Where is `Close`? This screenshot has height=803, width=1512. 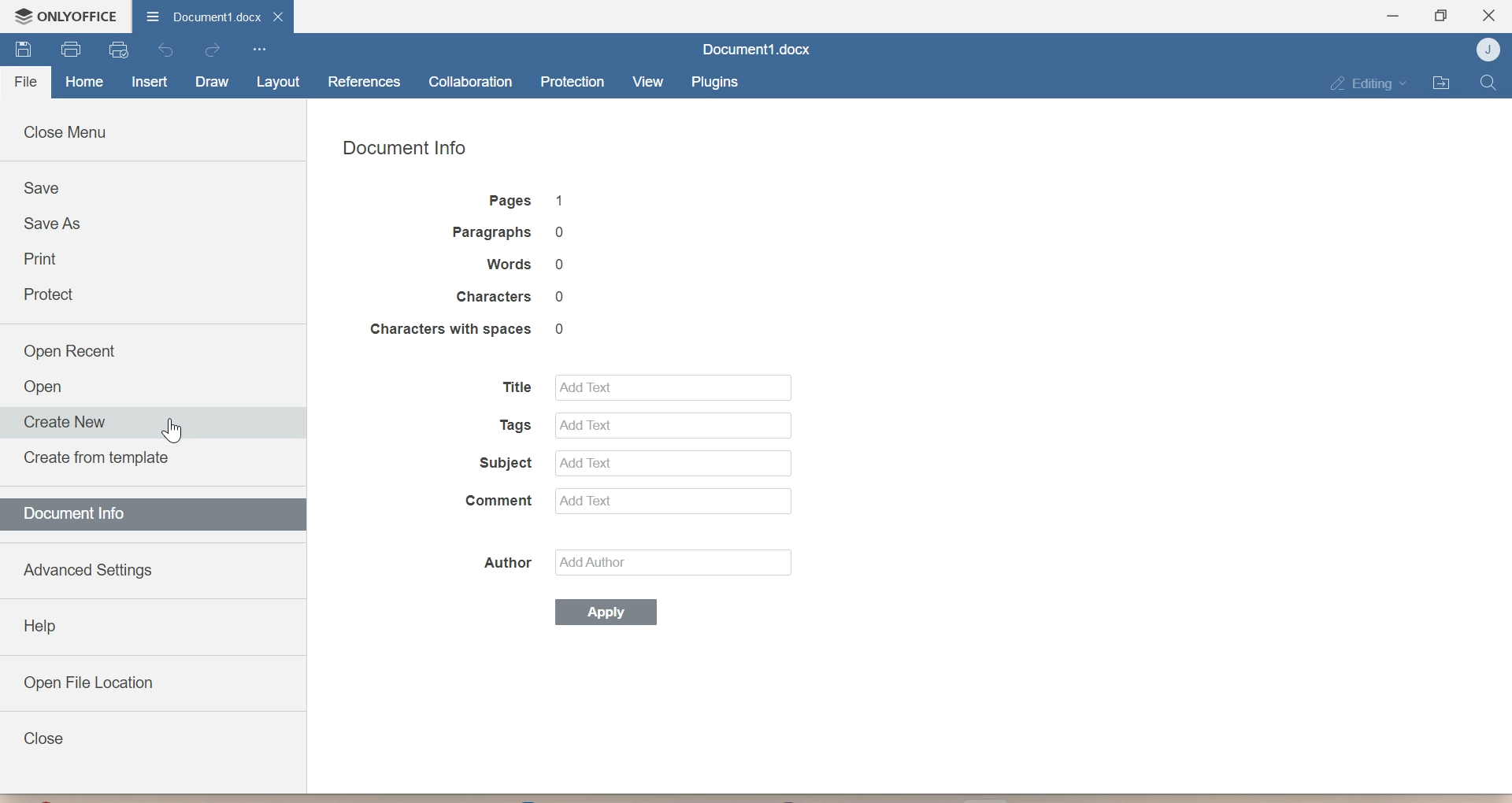
Close is located at coordinates (43, 738).